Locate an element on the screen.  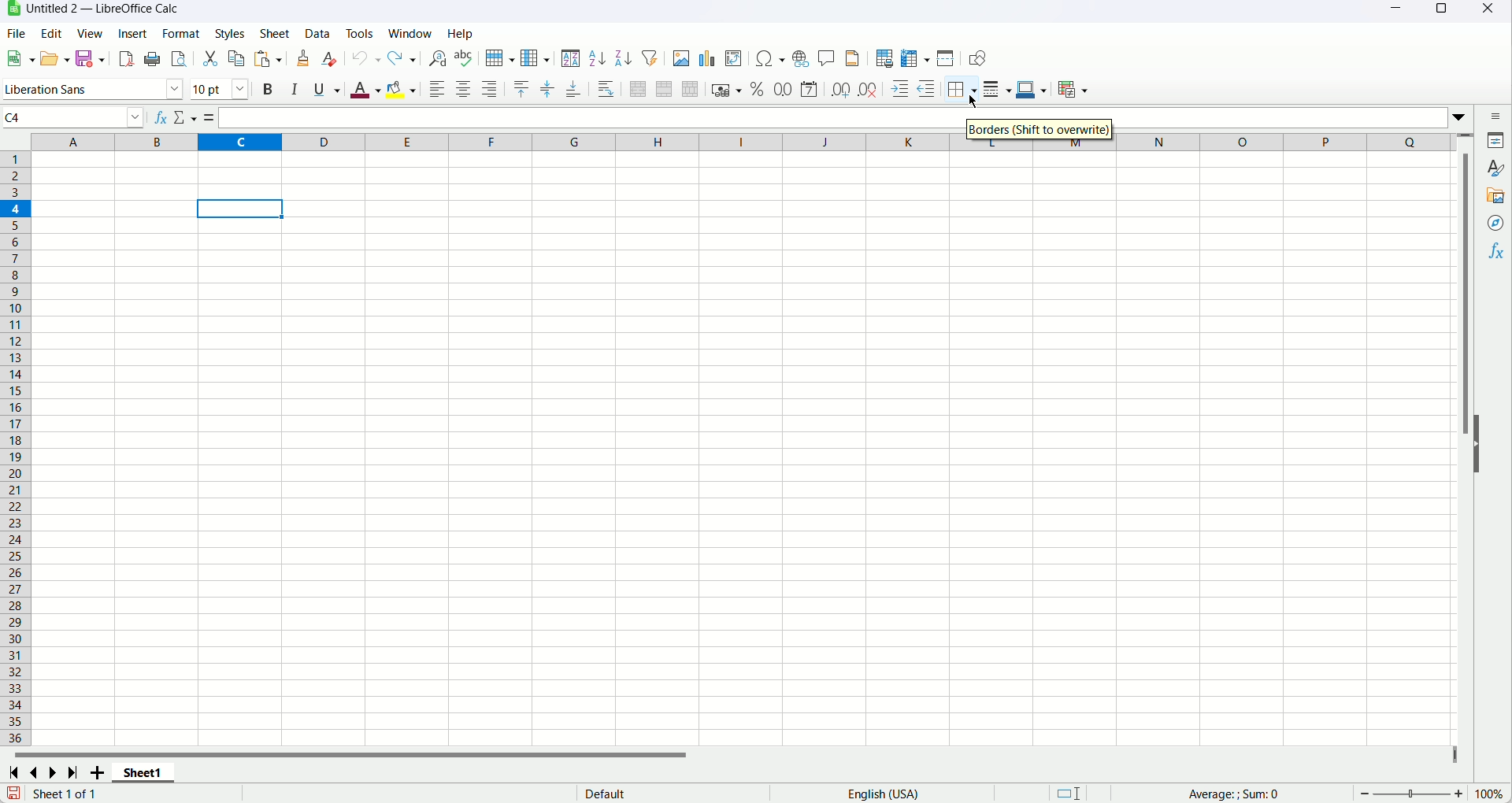
Align bottom is located at coordinates (574, 89).